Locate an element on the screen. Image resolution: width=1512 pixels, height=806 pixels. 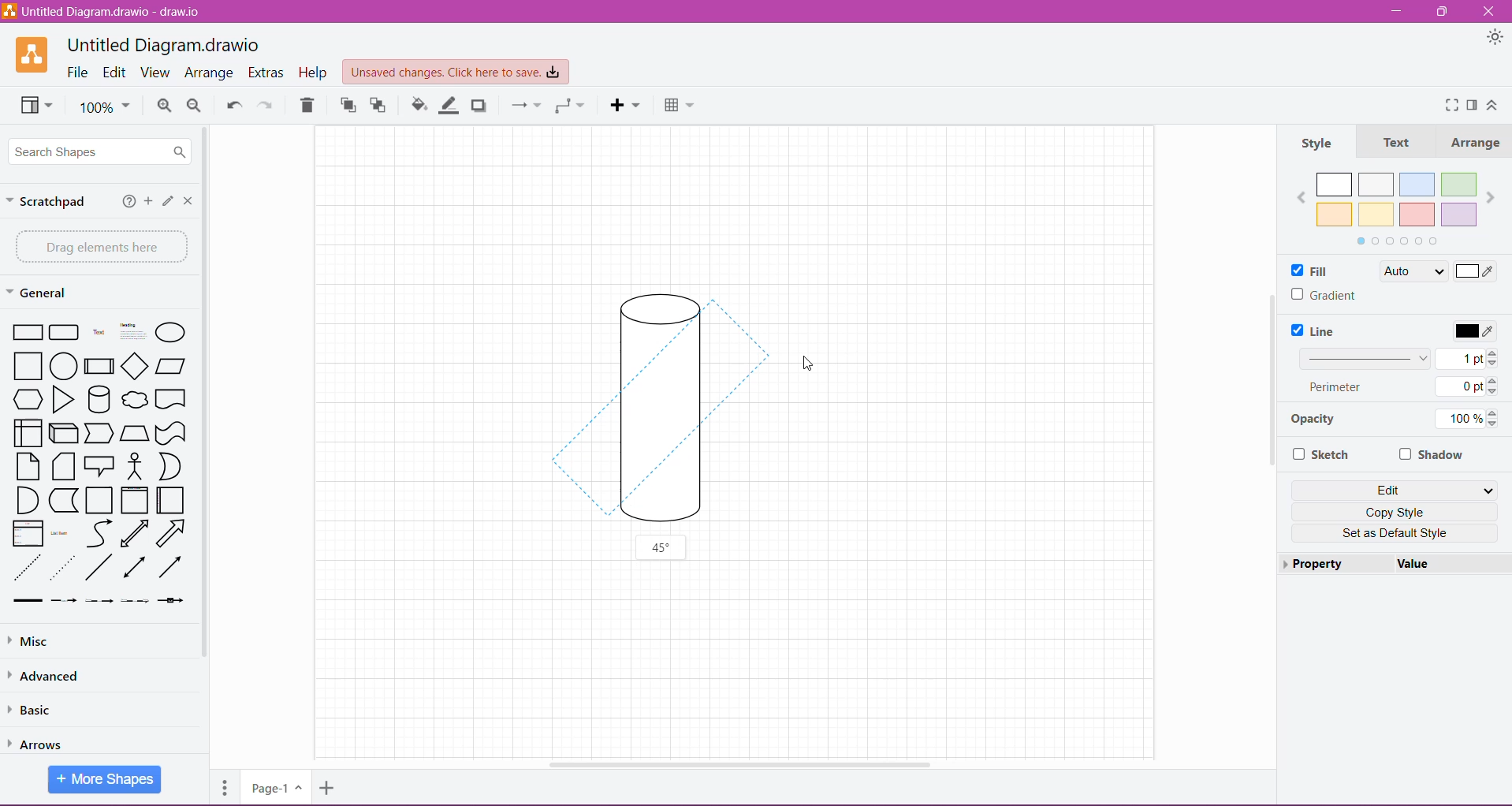
Vertical Scroll Bar is located at coordinates (1270, 379).